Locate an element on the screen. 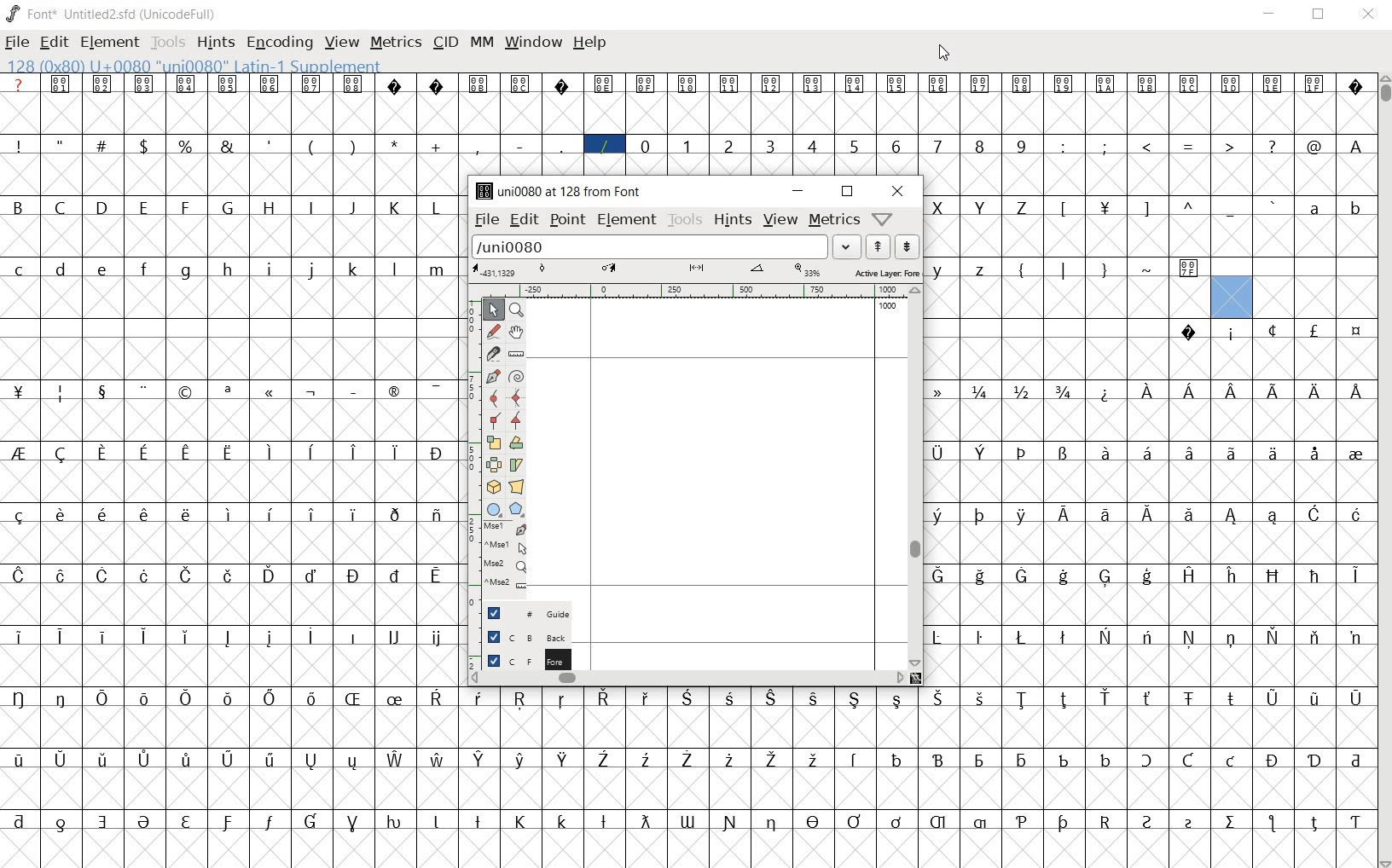  glyph is located at coordinates (854, 821).